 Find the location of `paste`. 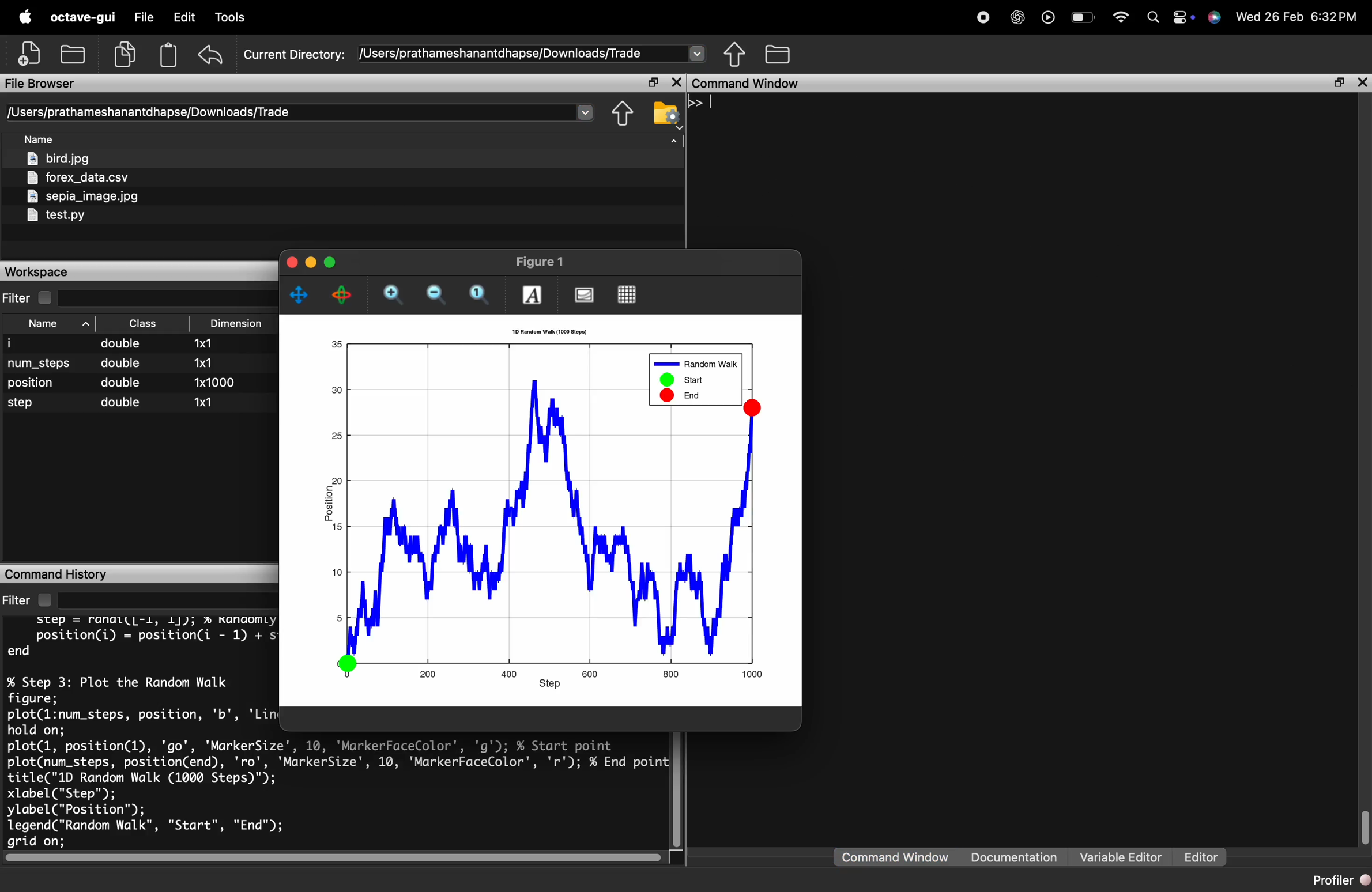

paste is located at coordinates (169, 54).